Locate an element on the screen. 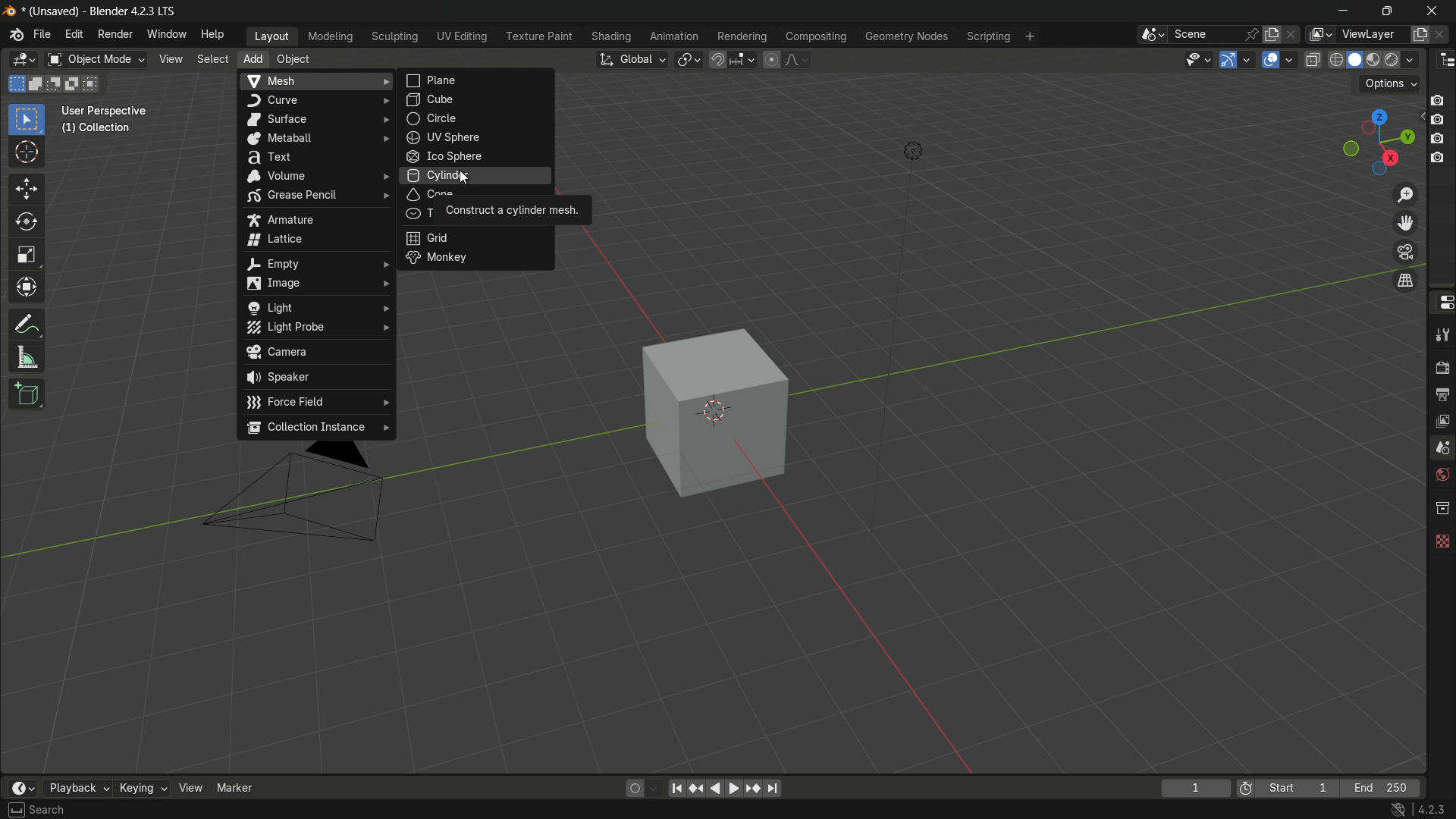 The height and width of the screenshot is (819, 1456). selectability and visibility is located at coordinates (1197, 59).